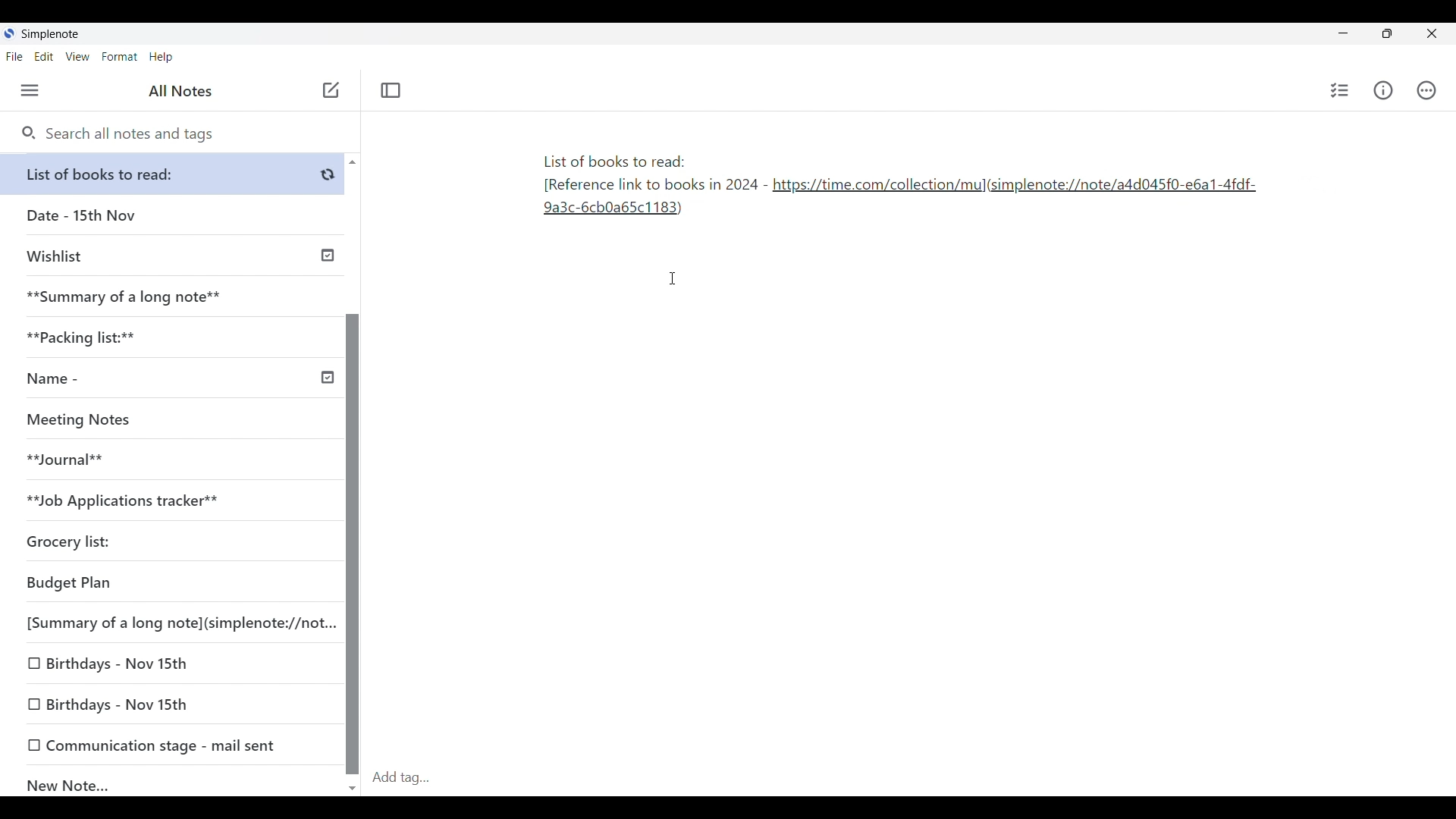 Image resolution: width=1456 pixels, height=819 pixels. Describe the element at coordinates (162, 58) in the screenshot. I see `Help ` at that location.